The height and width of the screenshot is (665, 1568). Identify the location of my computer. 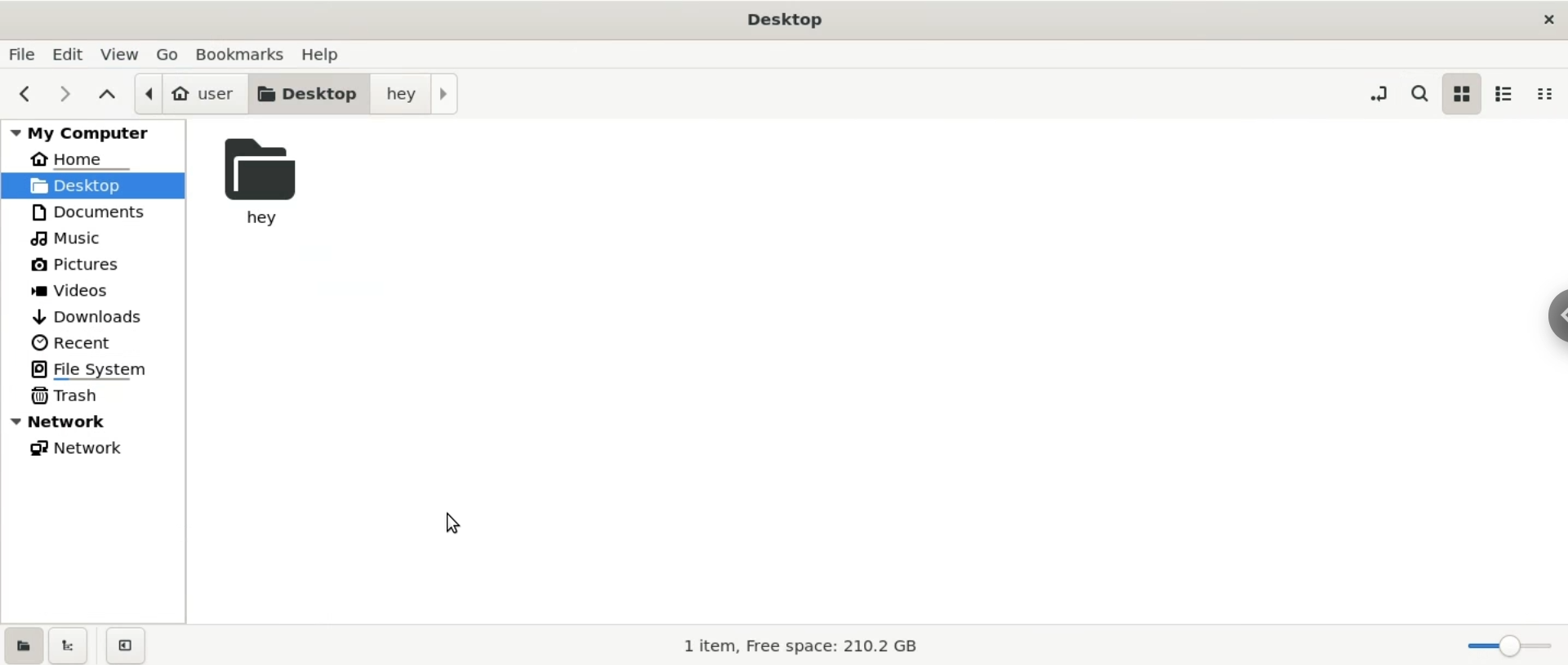
(94, 133).